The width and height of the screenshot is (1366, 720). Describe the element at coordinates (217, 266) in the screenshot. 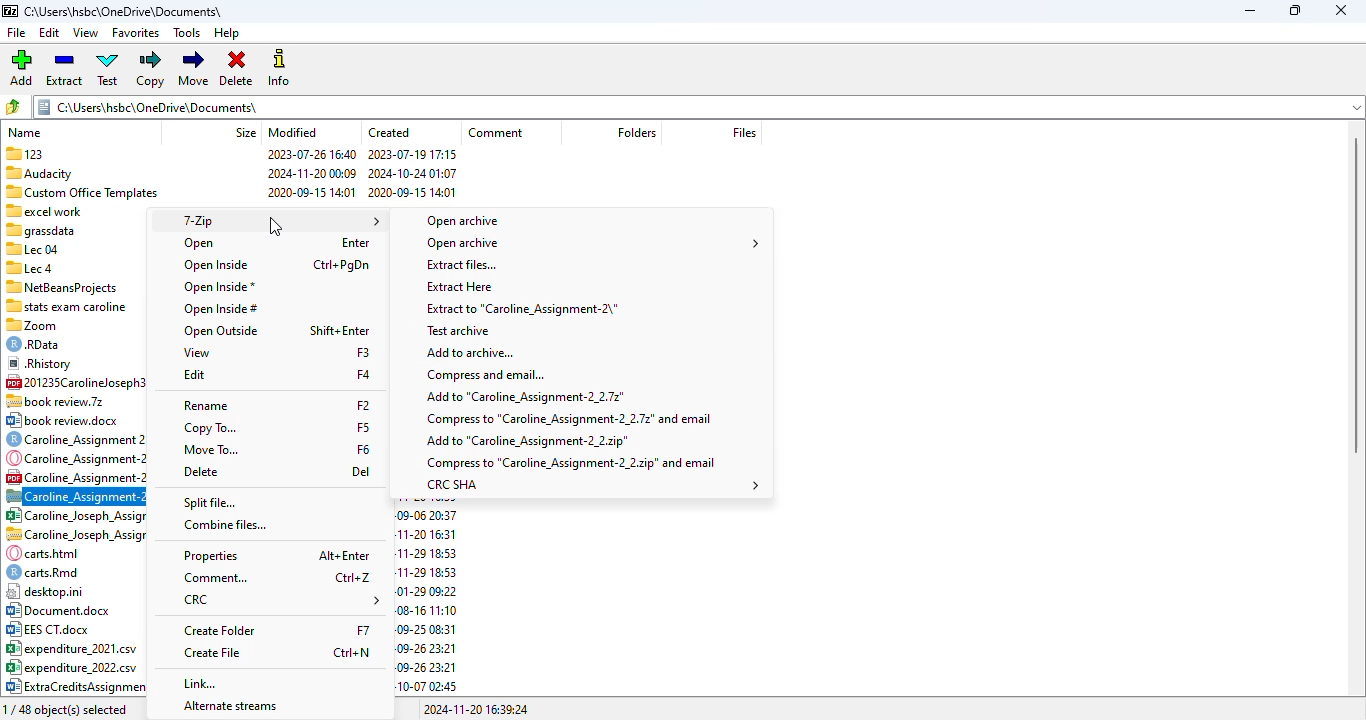

I see `open inside` at that location.